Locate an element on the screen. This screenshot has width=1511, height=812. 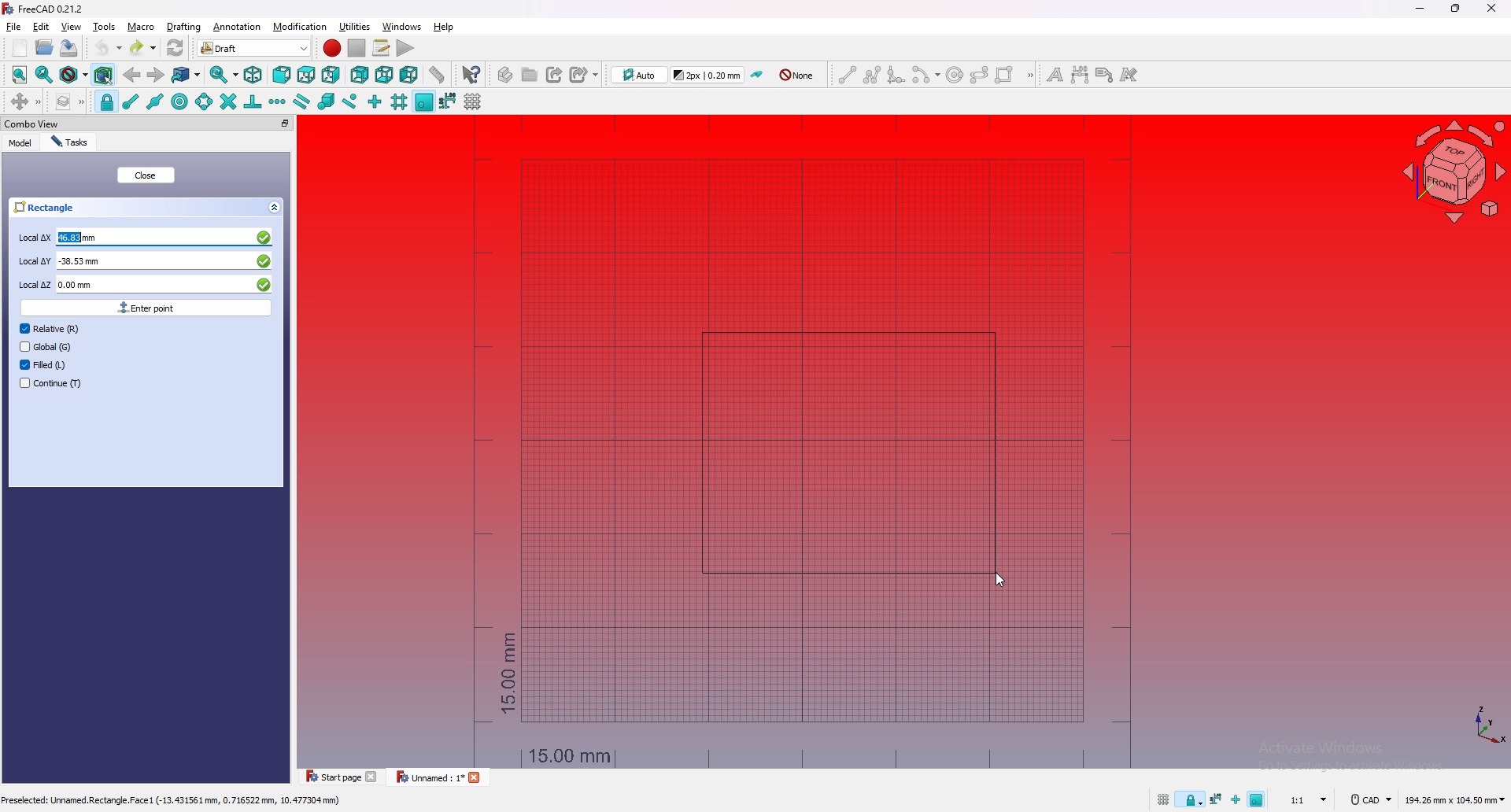
local Δx is located at coordinates (34, 238).